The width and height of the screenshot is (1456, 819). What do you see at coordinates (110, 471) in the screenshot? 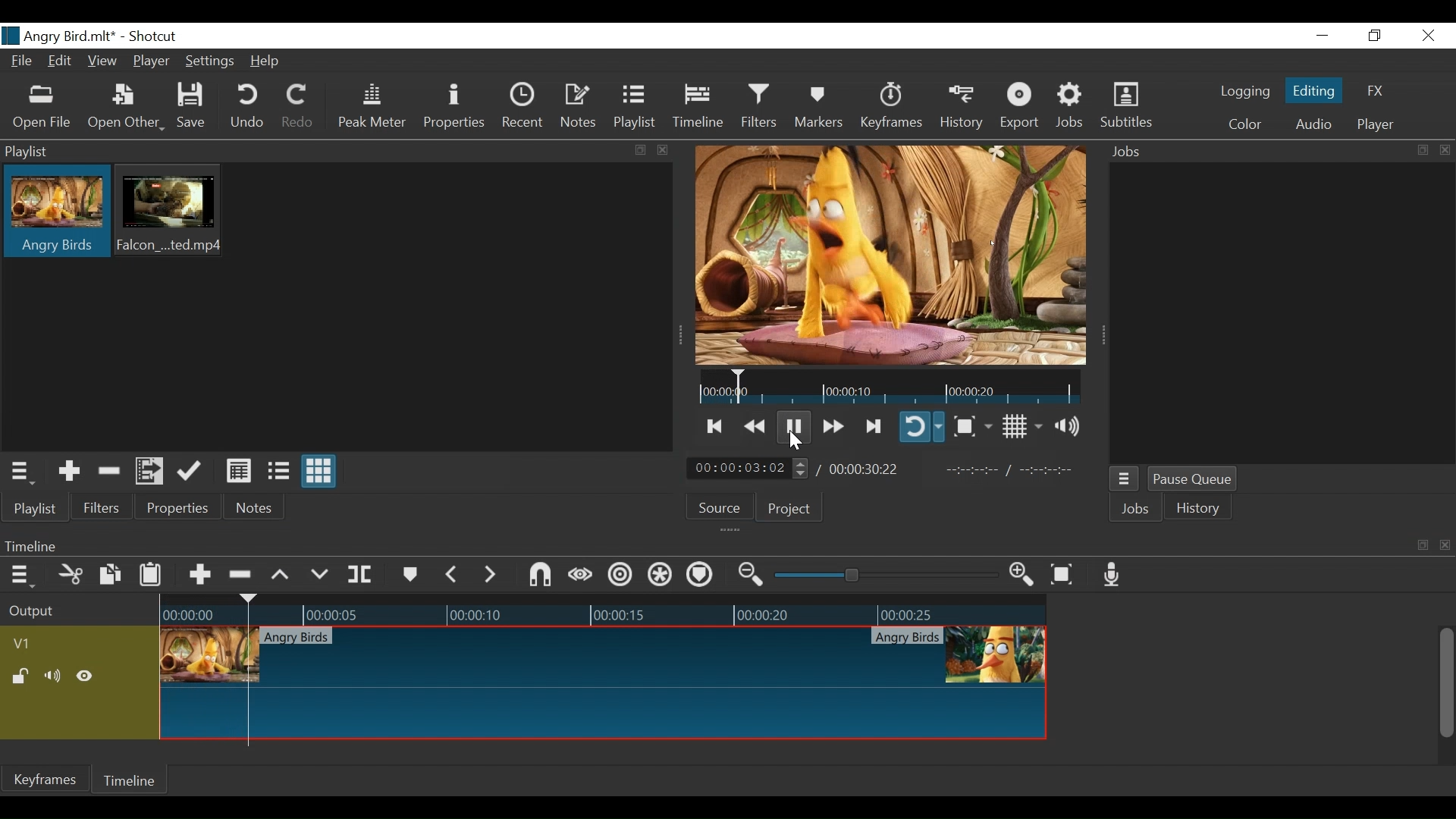
I see `Remove cut` at bounding box center [110, 471].